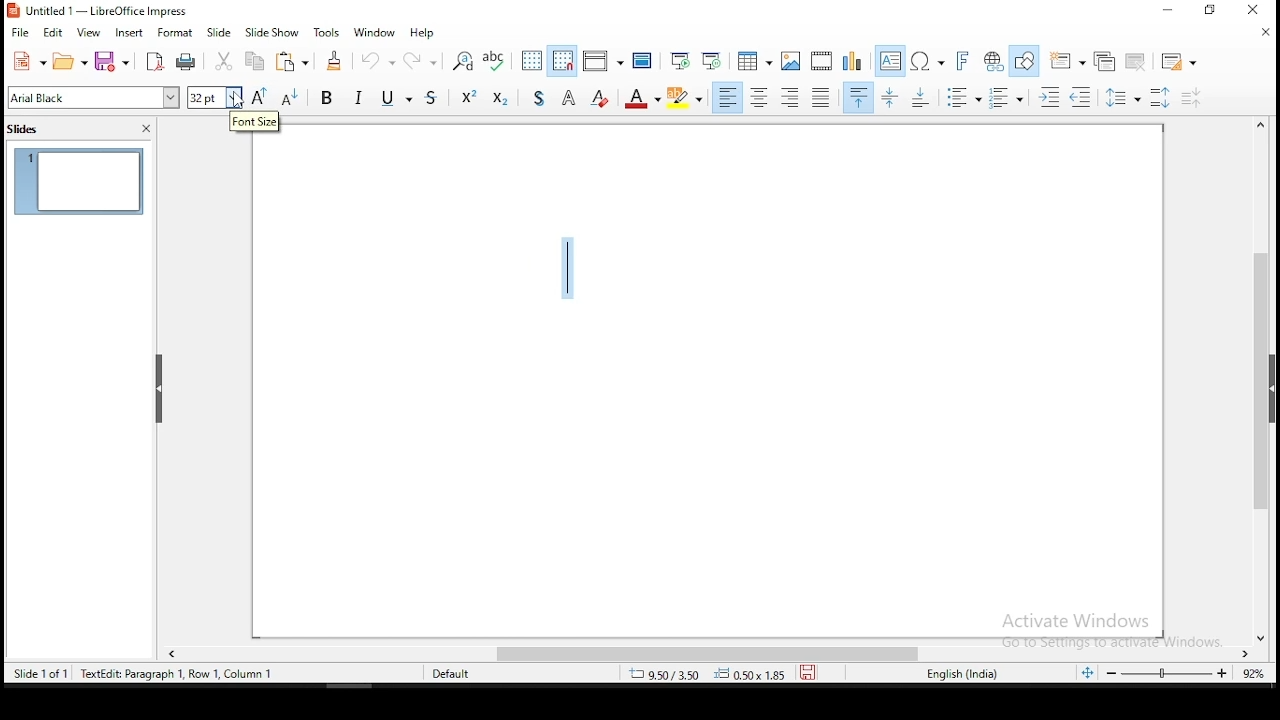 The image size is (1280, 720). I want to click on Decrease Indent, so click(1080, 98).